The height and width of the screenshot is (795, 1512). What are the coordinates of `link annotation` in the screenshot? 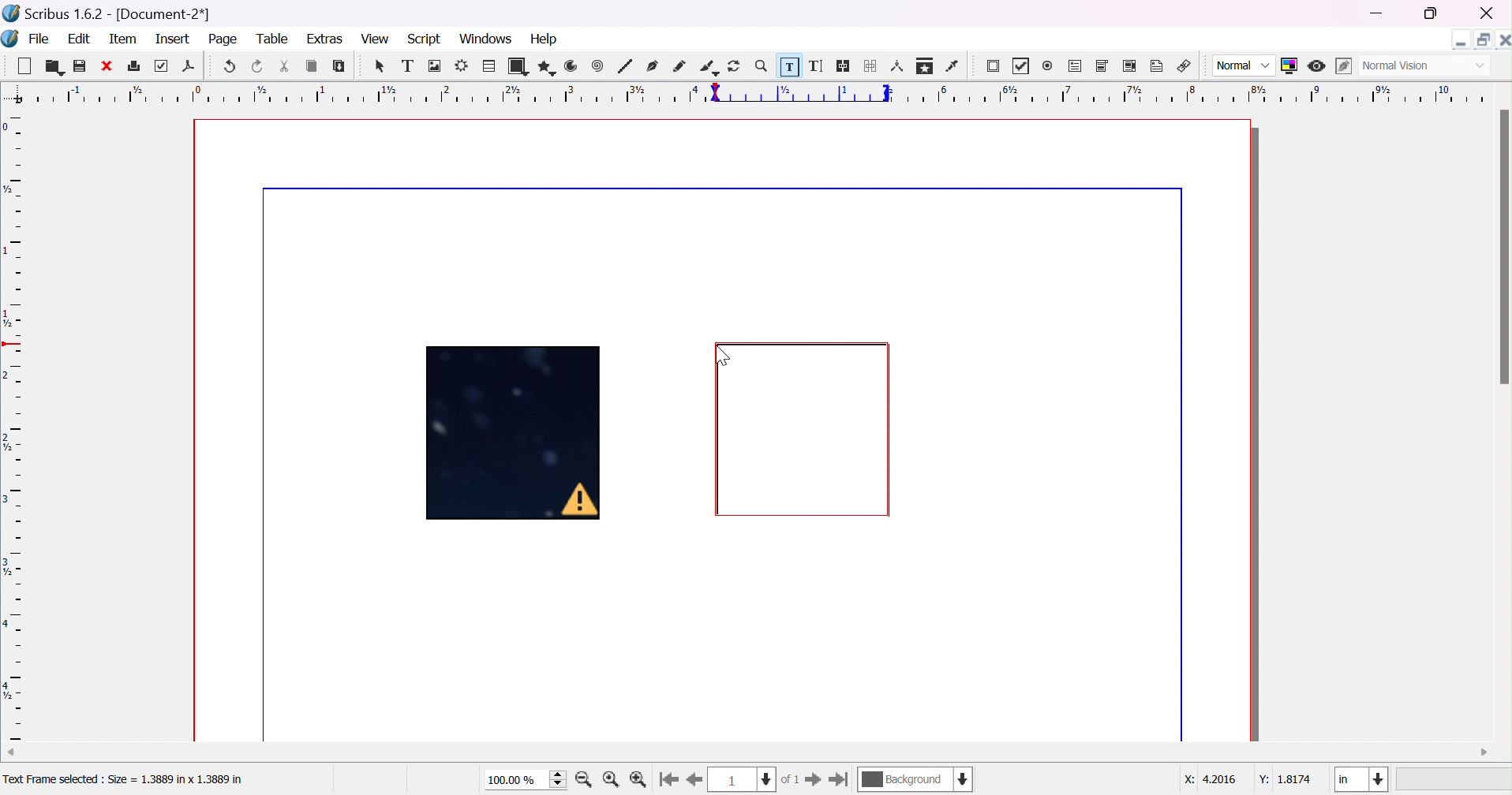 It's located at (1185, 64).